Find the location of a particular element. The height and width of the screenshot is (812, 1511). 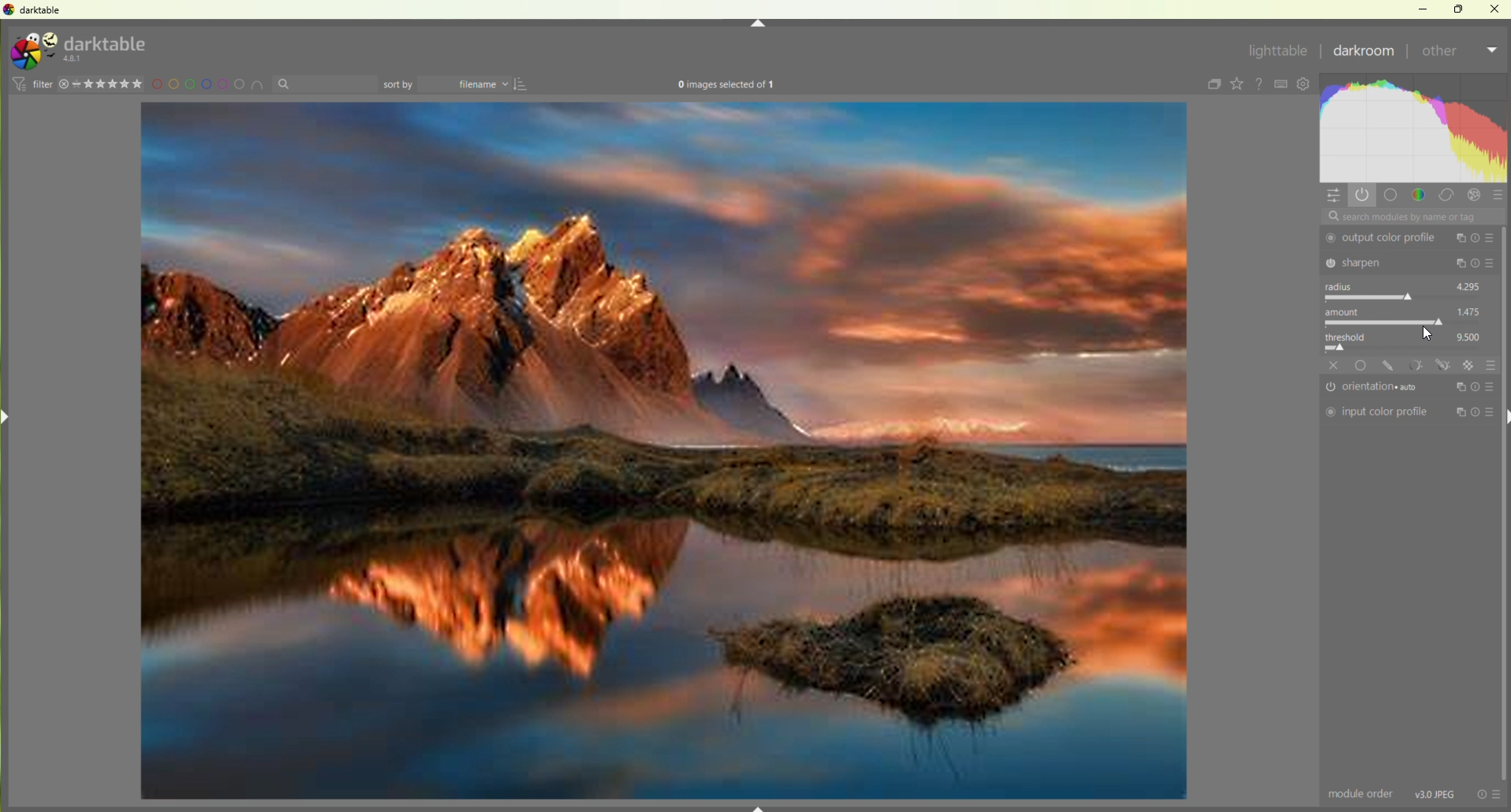

filename is located at coordinates (468, 85).